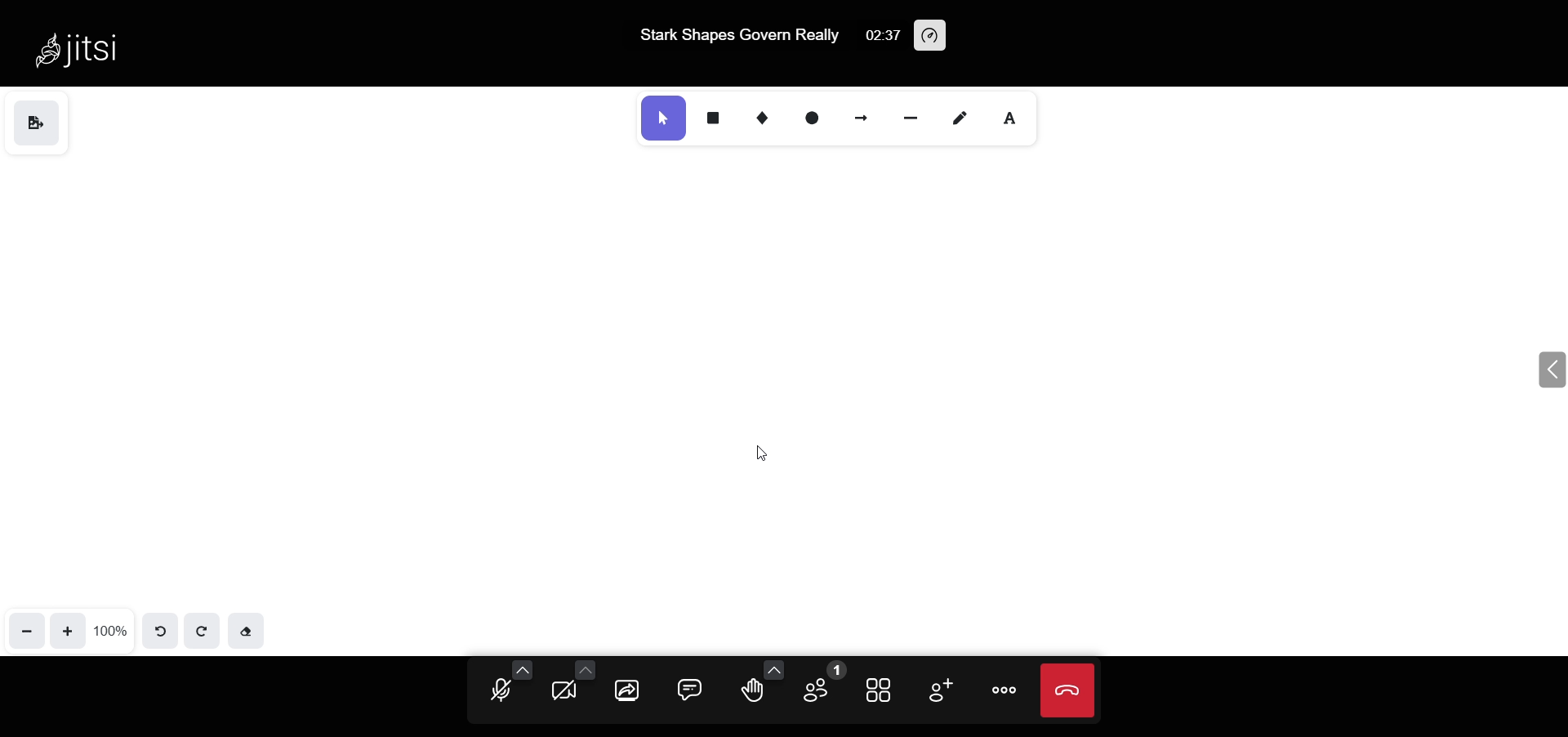 This screenshot has width=1568, height=737. What do you see at coordinates (1067, 690) in the screenshot?
I see `leave meeting` at bounding box center [1067, 690].